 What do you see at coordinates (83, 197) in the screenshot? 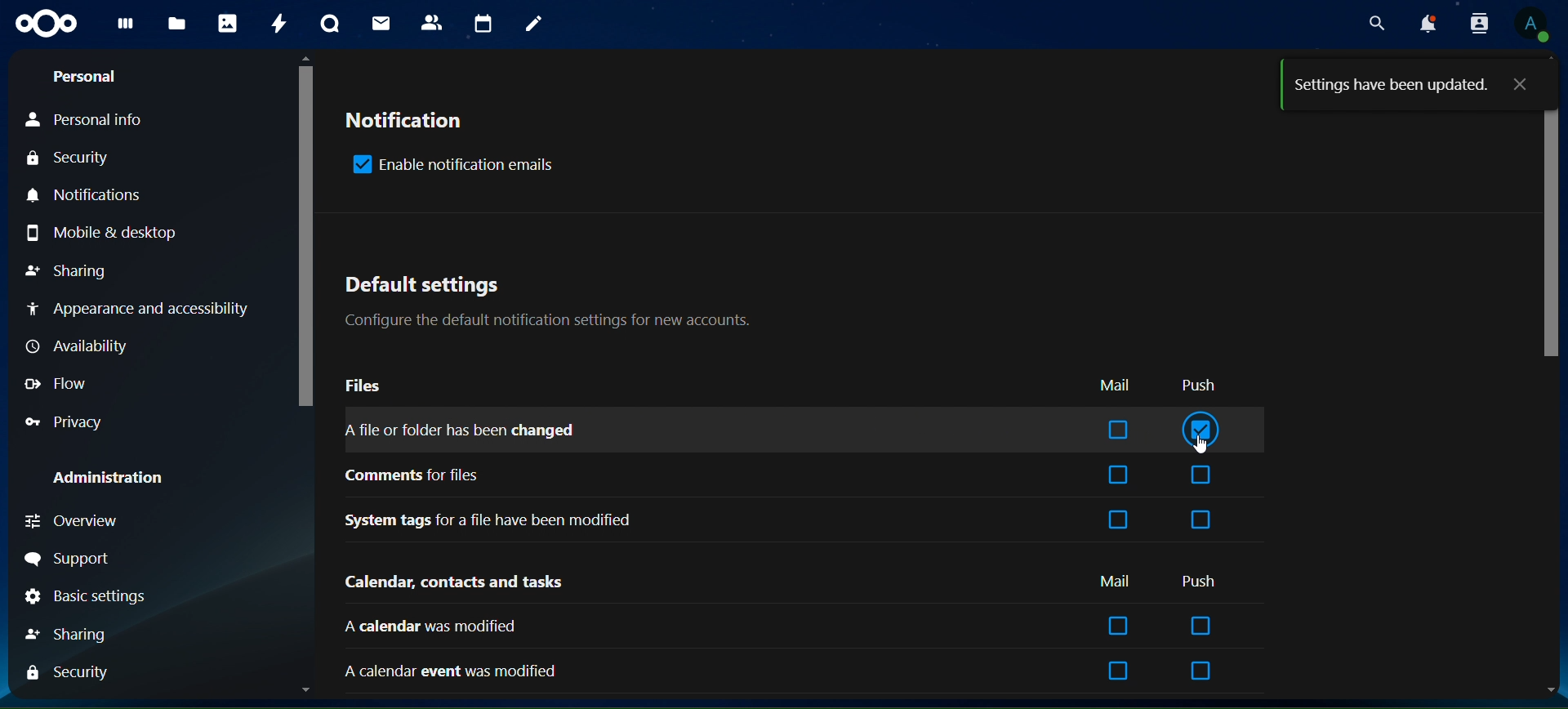
I see `notifications` at bounding box center [83, 197].